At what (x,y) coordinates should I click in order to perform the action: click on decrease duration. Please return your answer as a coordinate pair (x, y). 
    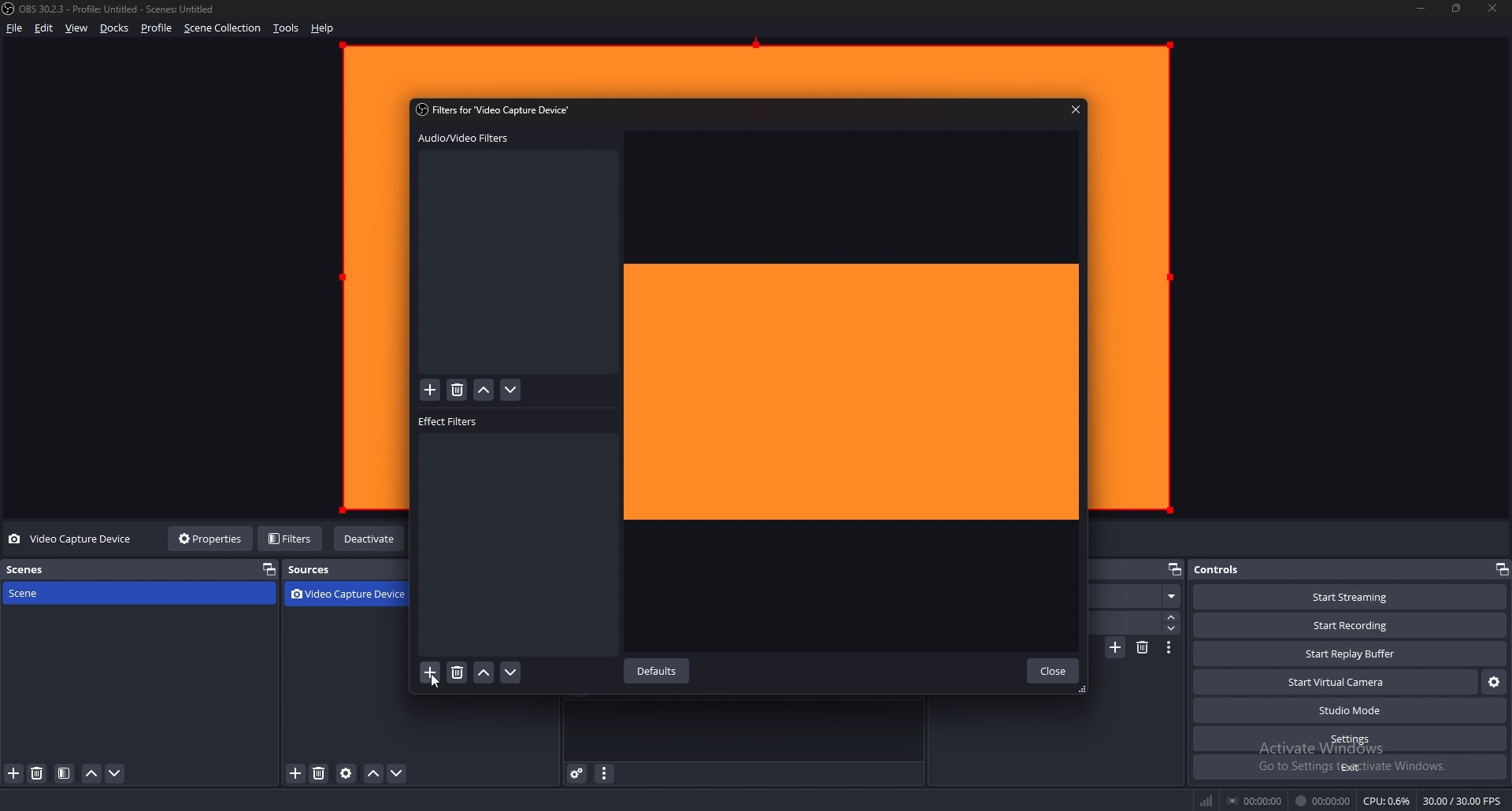
    Looking at the image, I should click on (1173, 628).